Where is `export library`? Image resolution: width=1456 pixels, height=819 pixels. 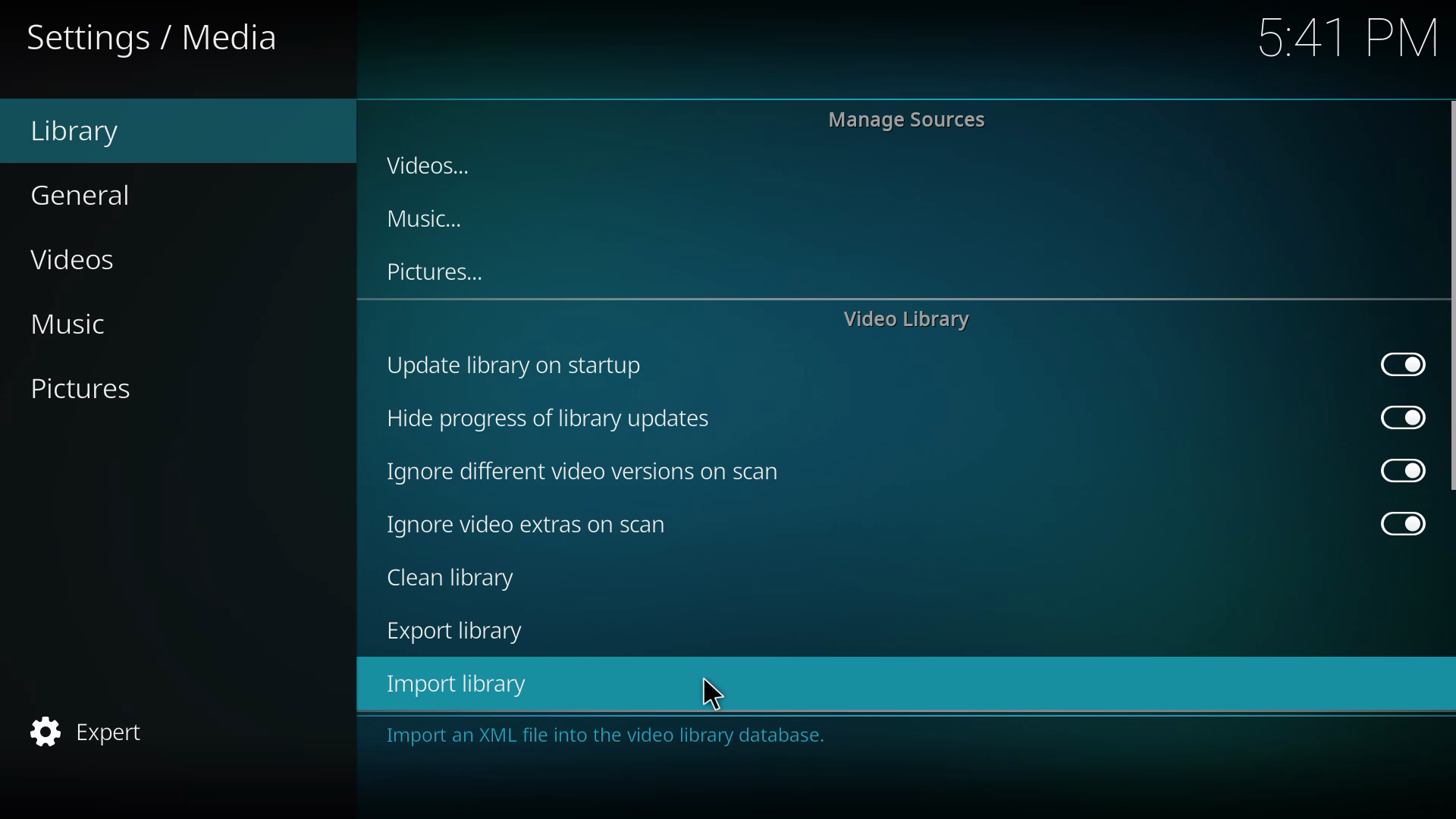
export library is located at coordinates (456, 632).